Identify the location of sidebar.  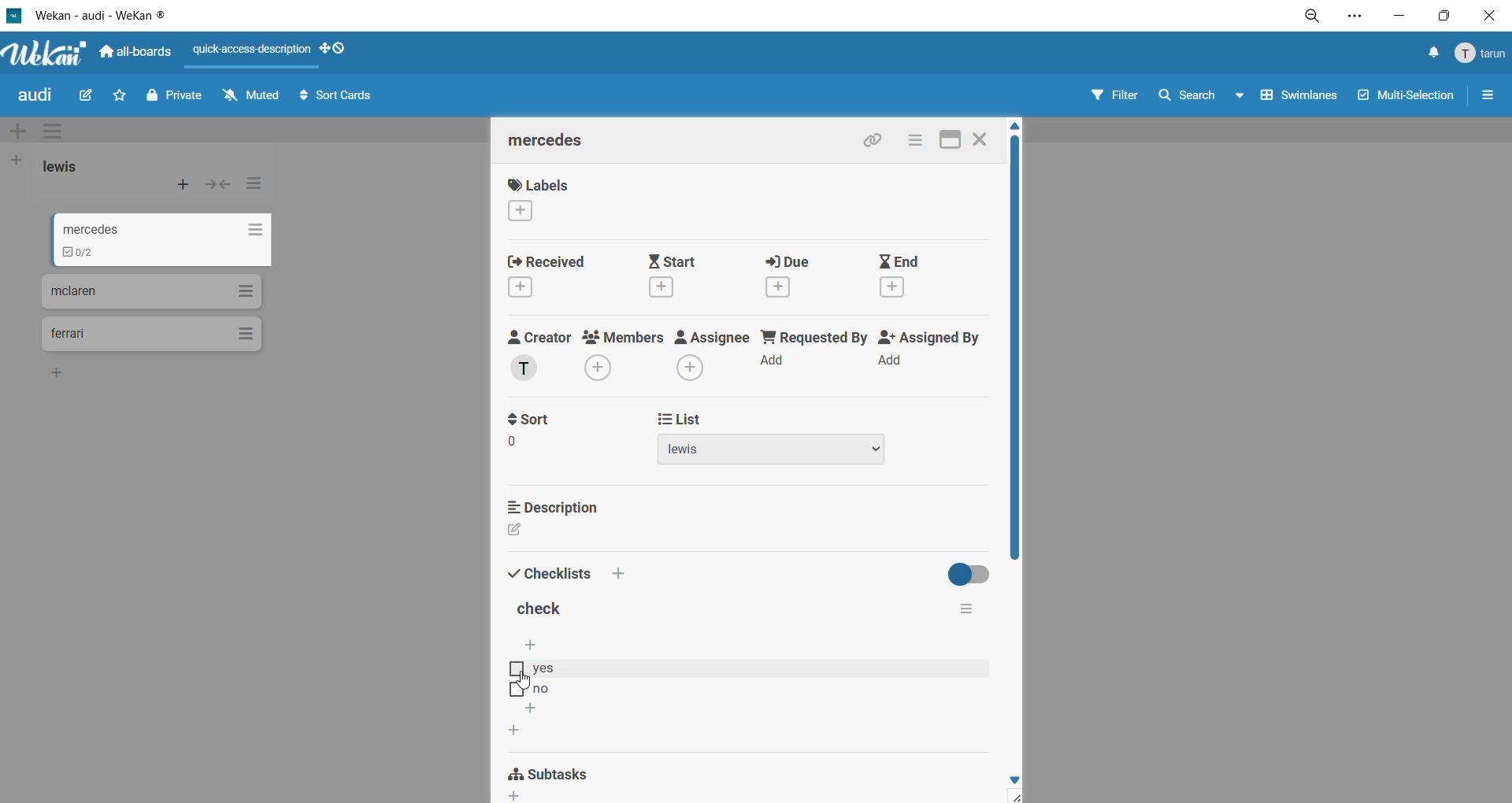
(1484, 96).